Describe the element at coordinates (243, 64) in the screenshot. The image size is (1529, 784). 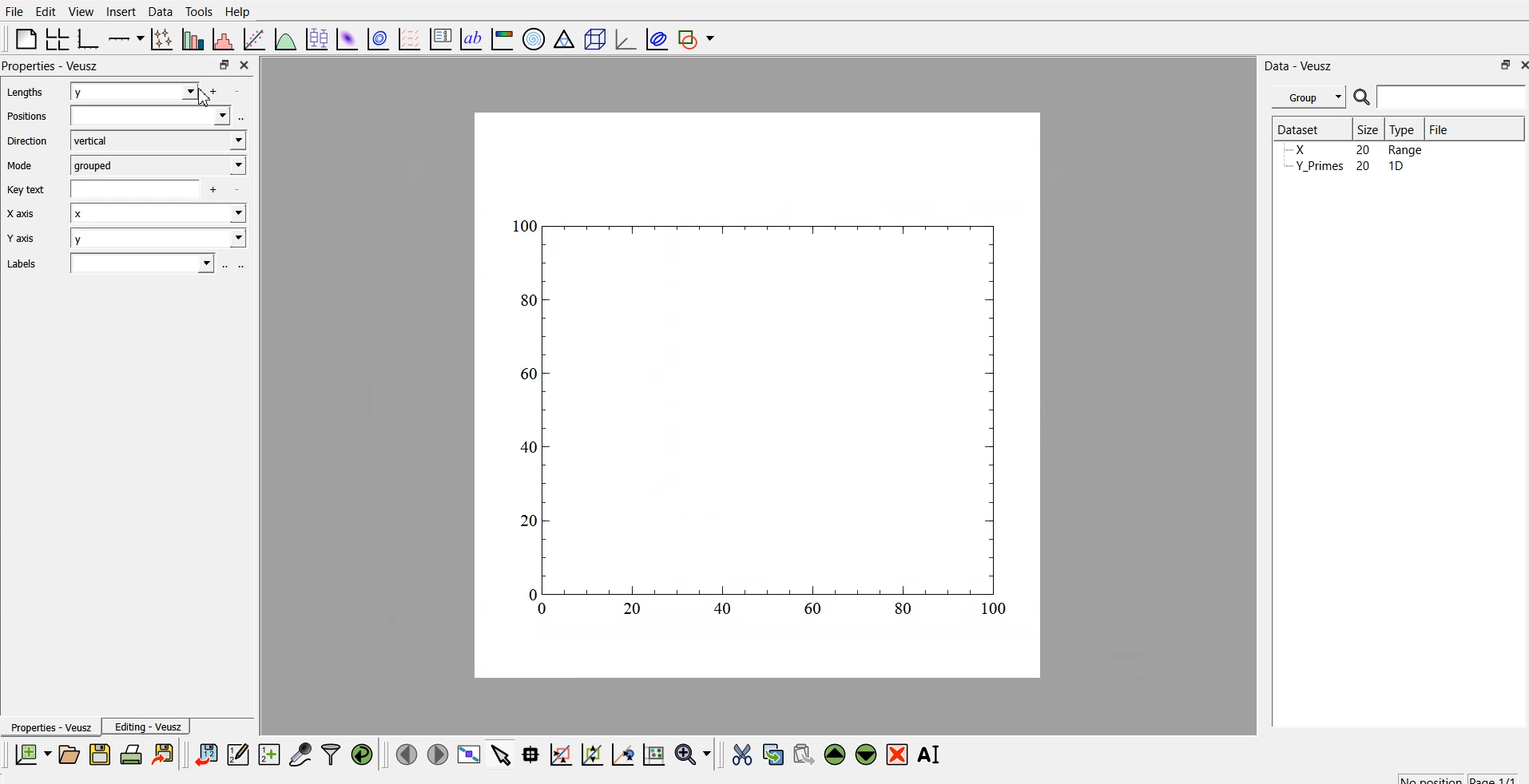
I see `close` at that location.